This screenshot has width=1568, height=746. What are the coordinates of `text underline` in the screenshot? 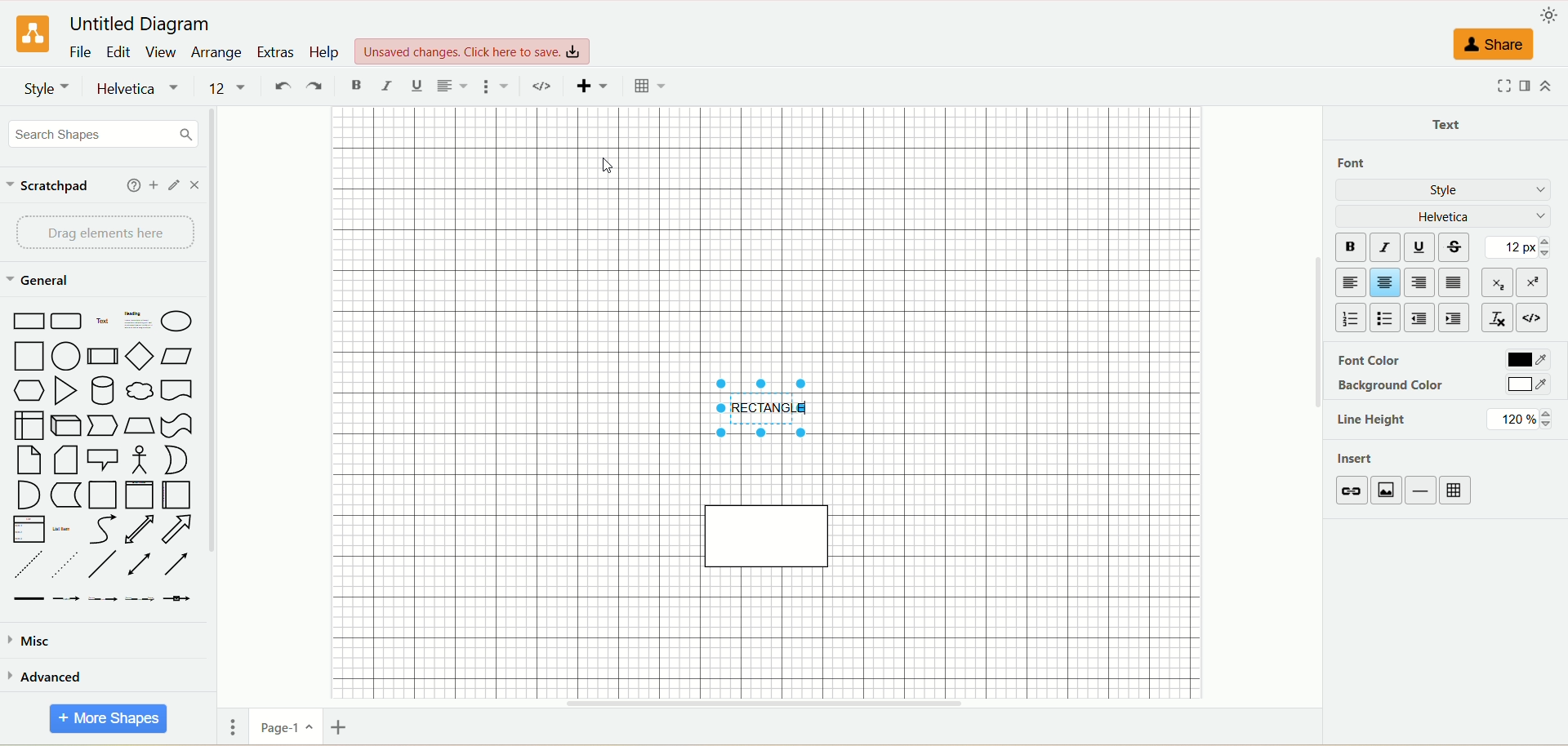 It's located at (414, 87).